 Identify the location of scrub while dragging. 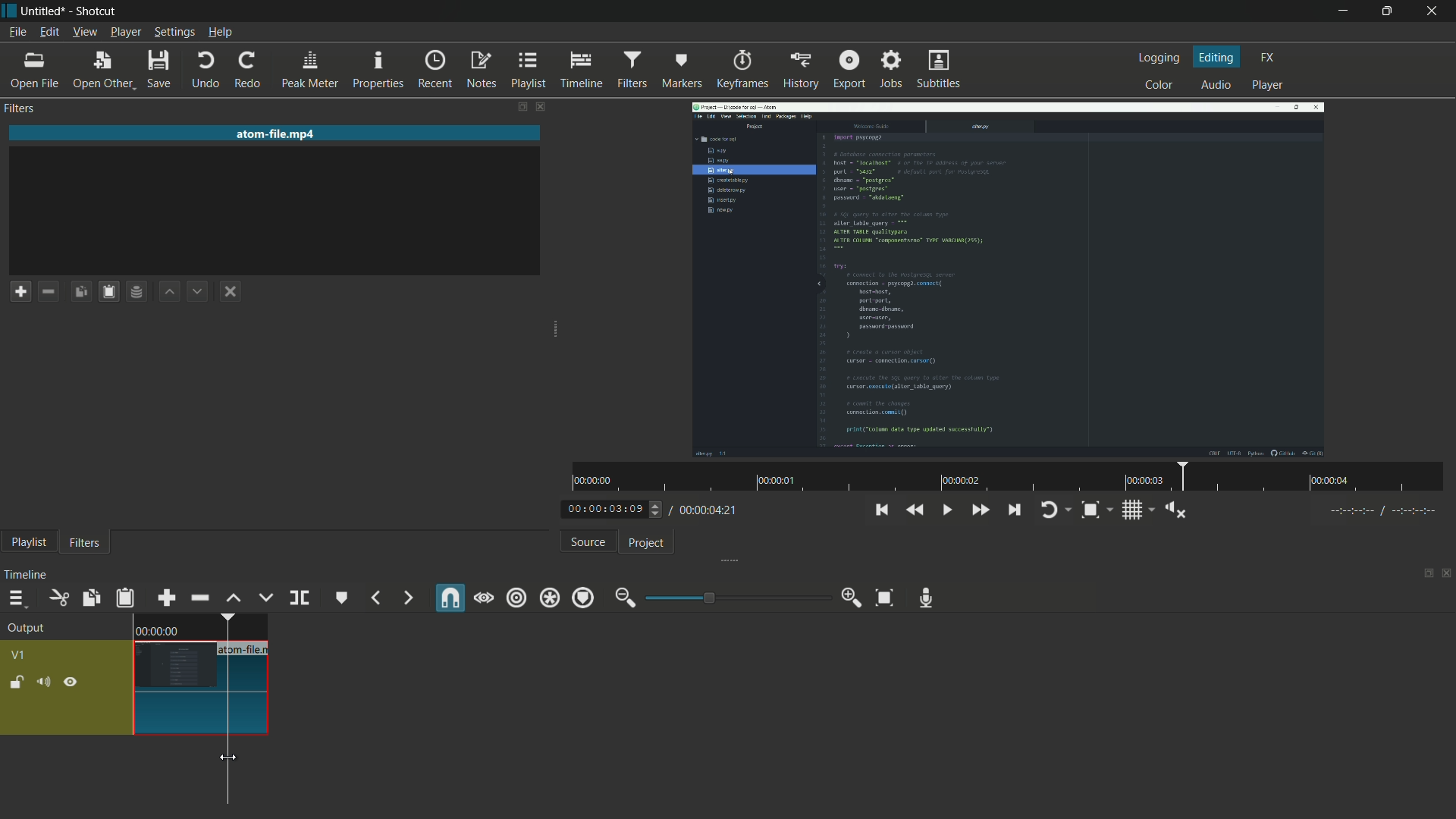
(483, 598).